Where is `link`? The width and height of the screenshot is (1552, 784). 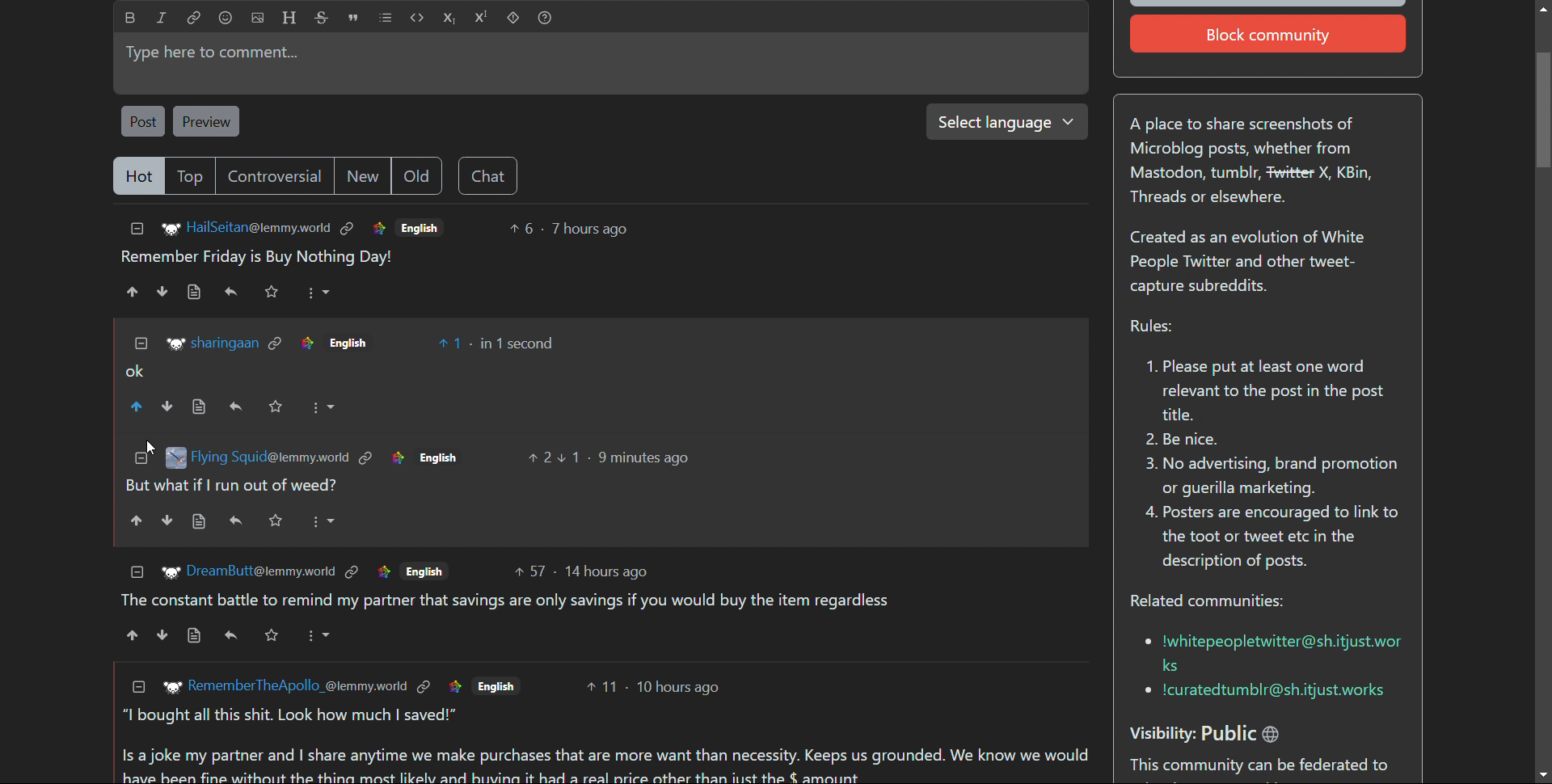 link is located at coordinates (449, 686).